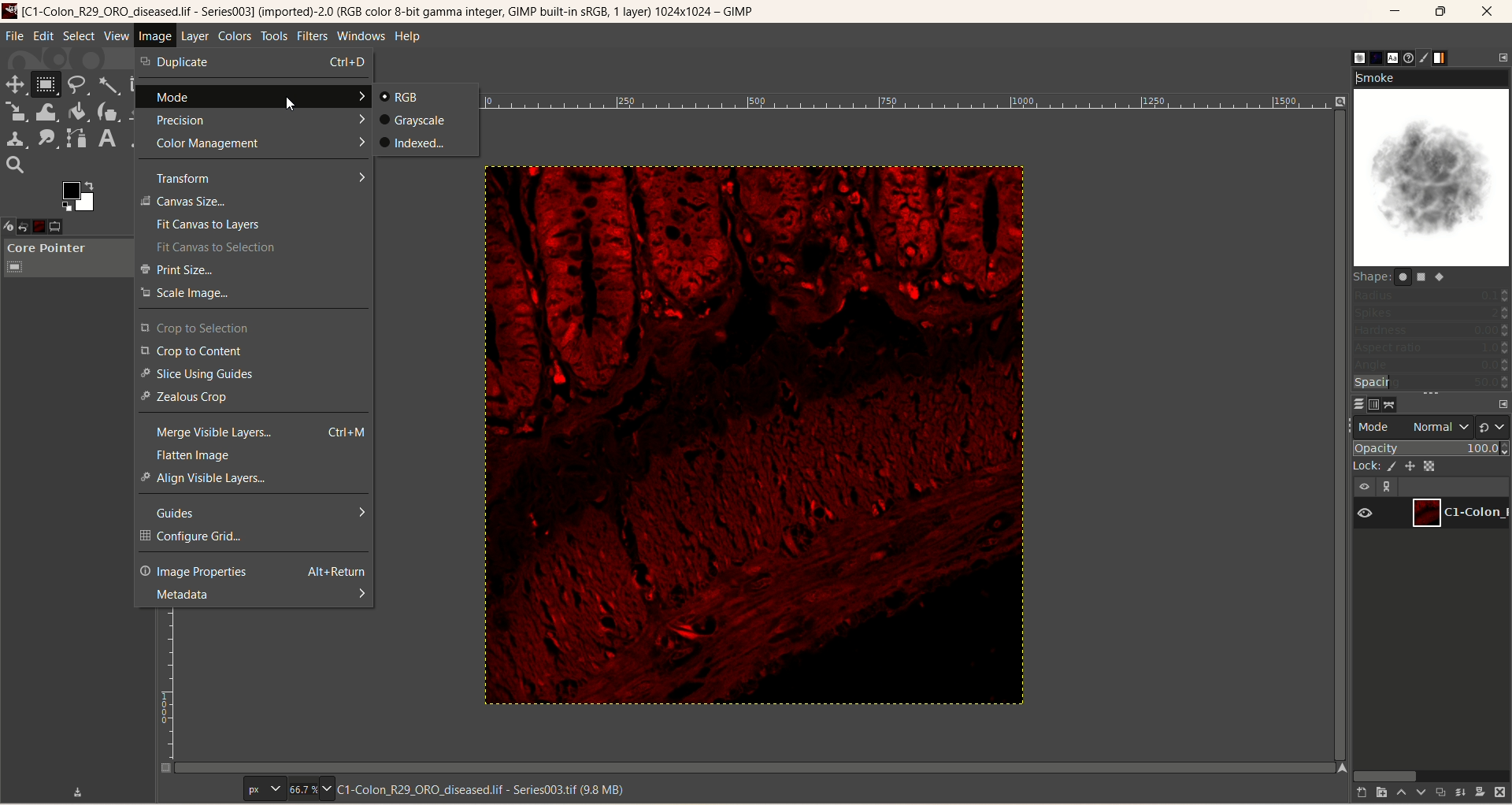  I want to click on horizontal scroll bar, so click(1431, 775).